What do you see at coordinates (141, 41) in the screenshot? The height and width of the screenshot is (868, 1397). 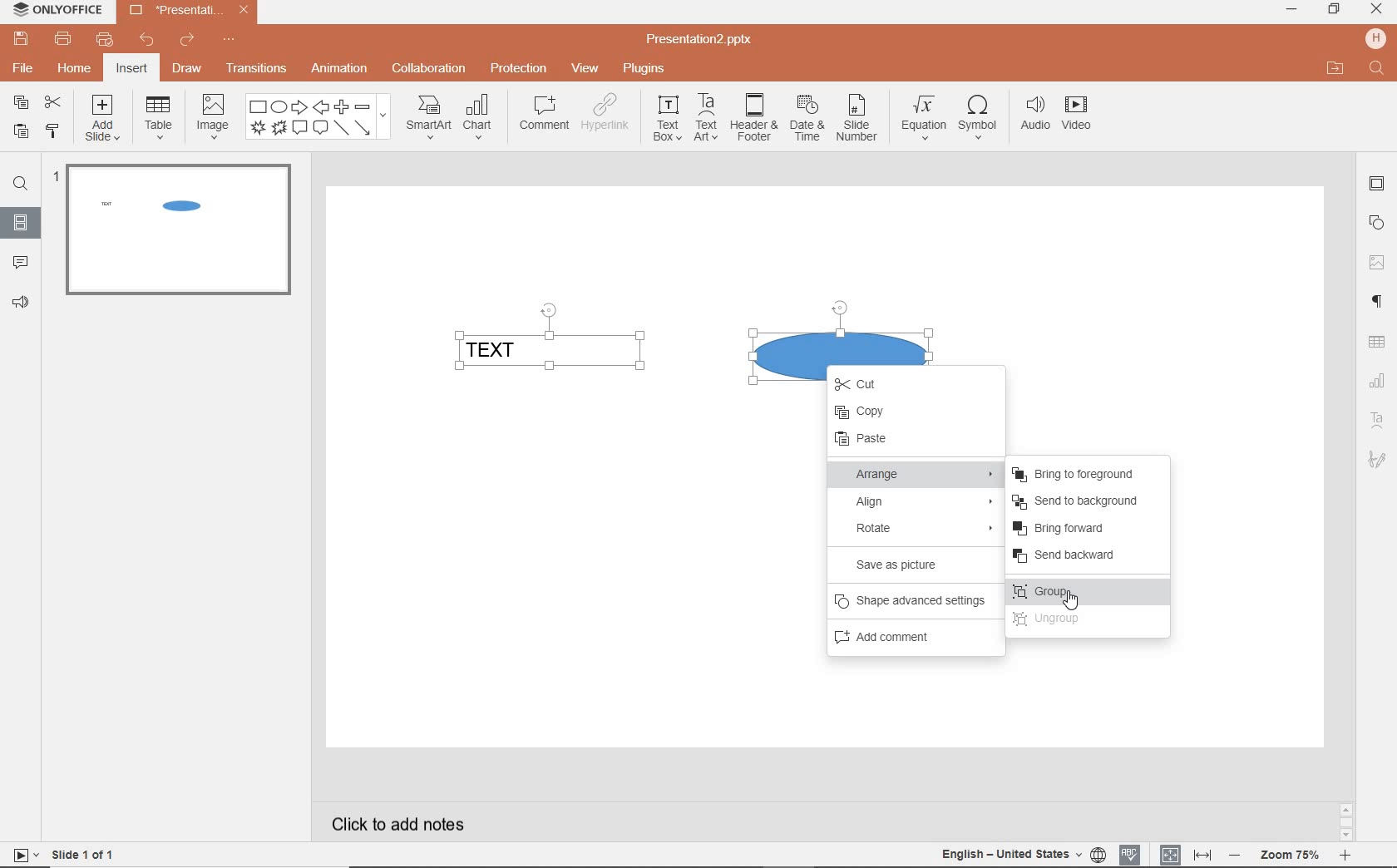 I see `undo` at bounding box center [141, 41].